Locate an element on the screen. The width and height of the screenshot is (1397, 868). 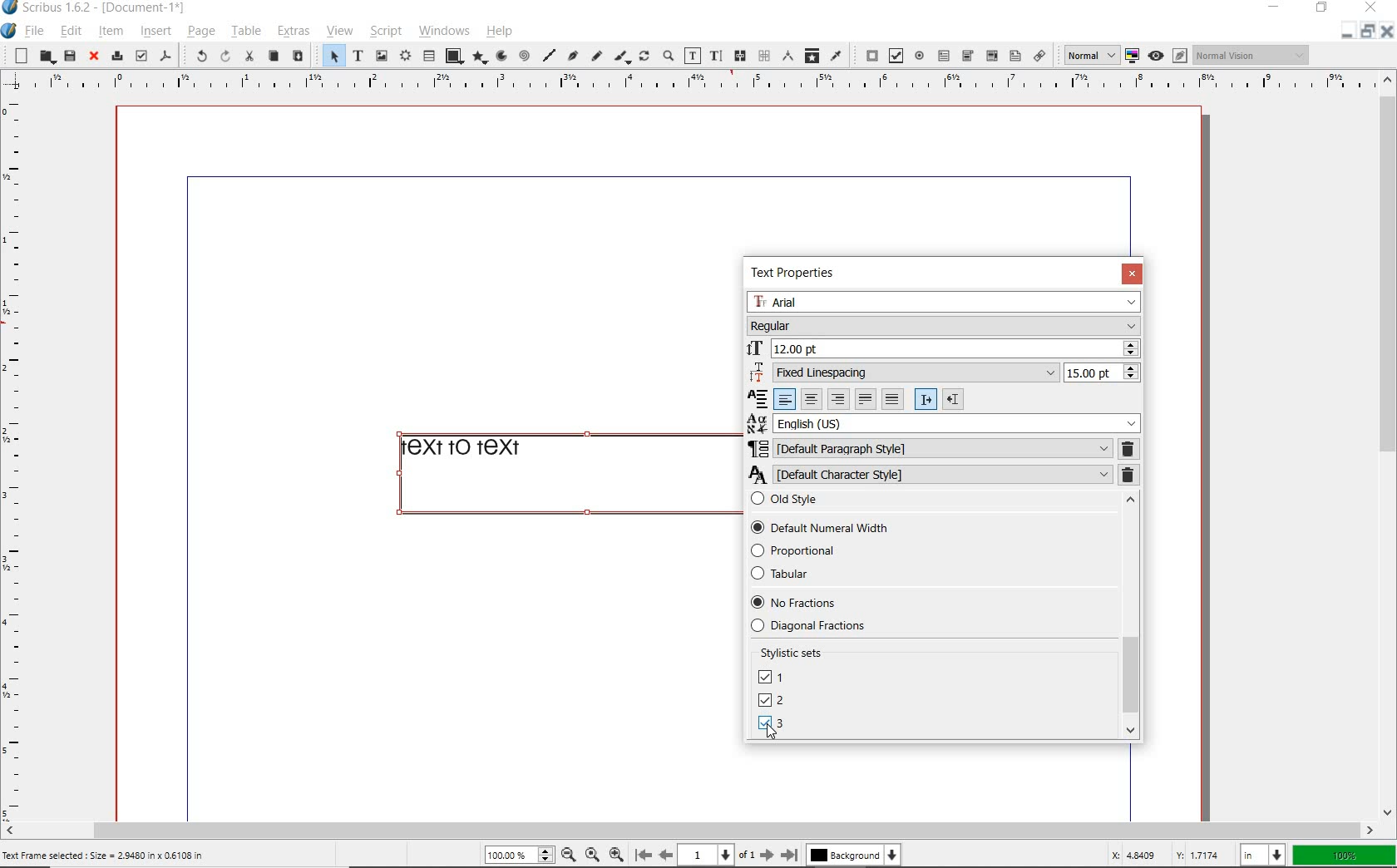
unlink text frames is located at coordinates (763, 57).